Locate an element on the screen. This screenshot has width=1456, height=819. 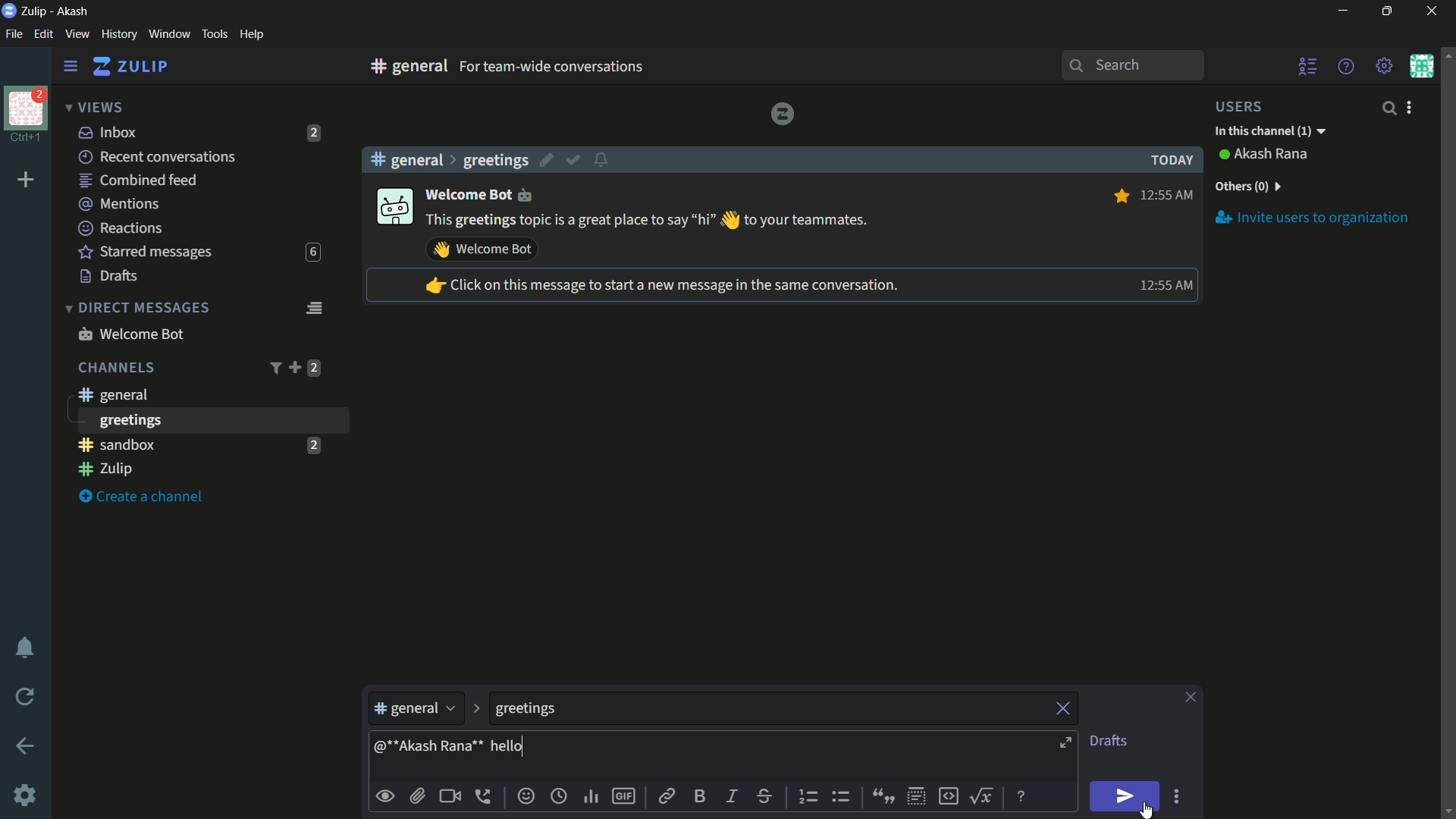
cursor is located at coordinates (1145, 811).